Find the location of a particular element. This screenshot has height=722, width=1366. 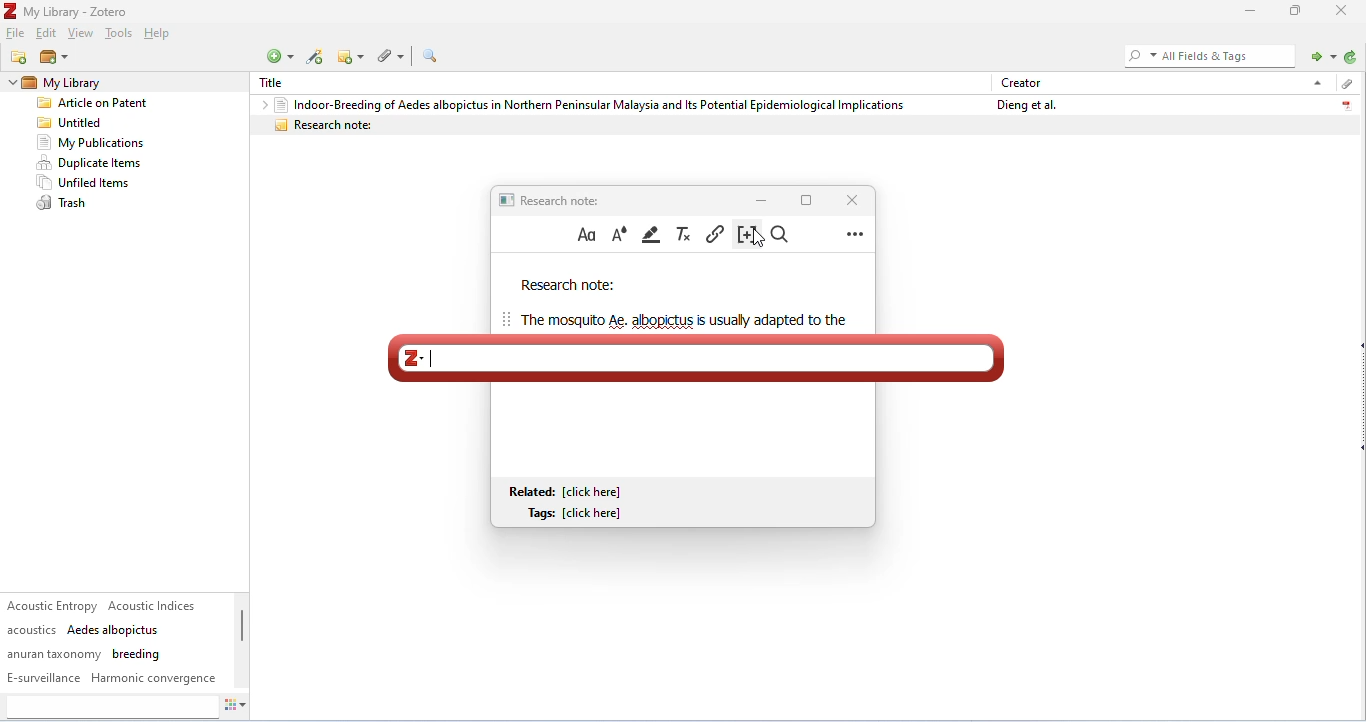

research note is located at coordinates (568, 286).